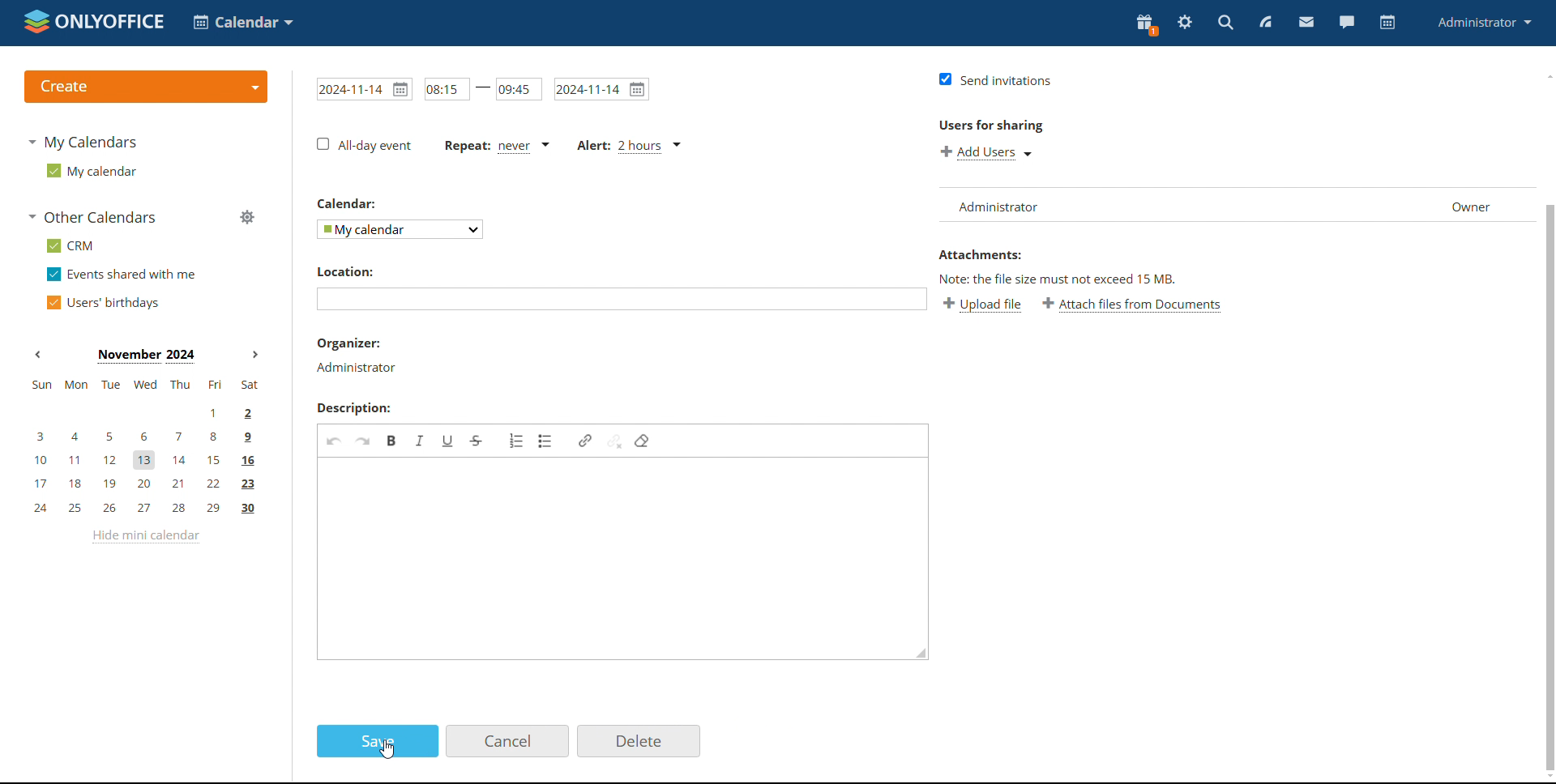 The height and width of the screenshot is (784, 1556). I want to click on italic, so click(419, 441).